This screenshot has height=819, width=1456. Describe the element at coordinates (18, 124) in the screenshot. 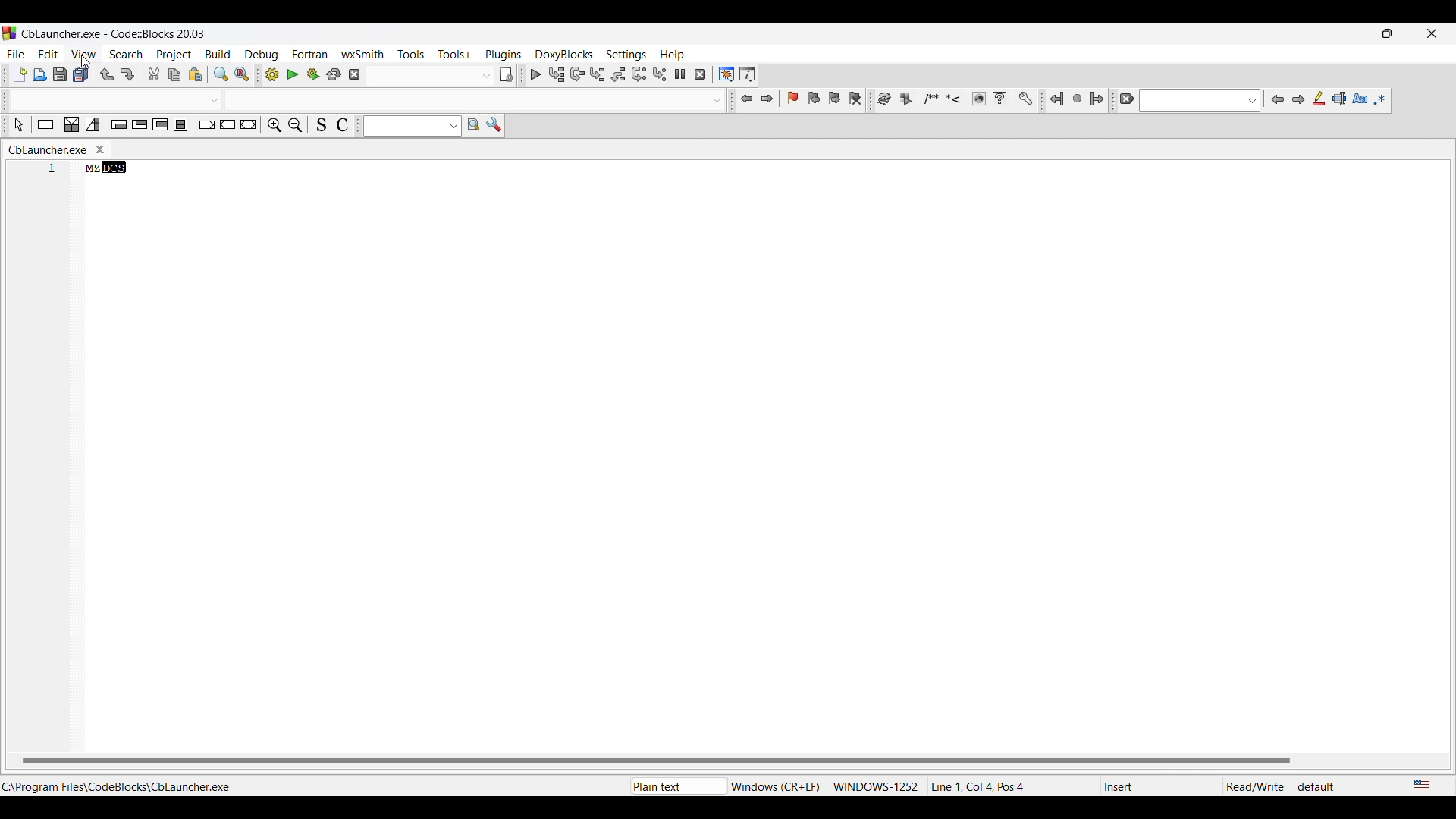

I see `Select` at that location.